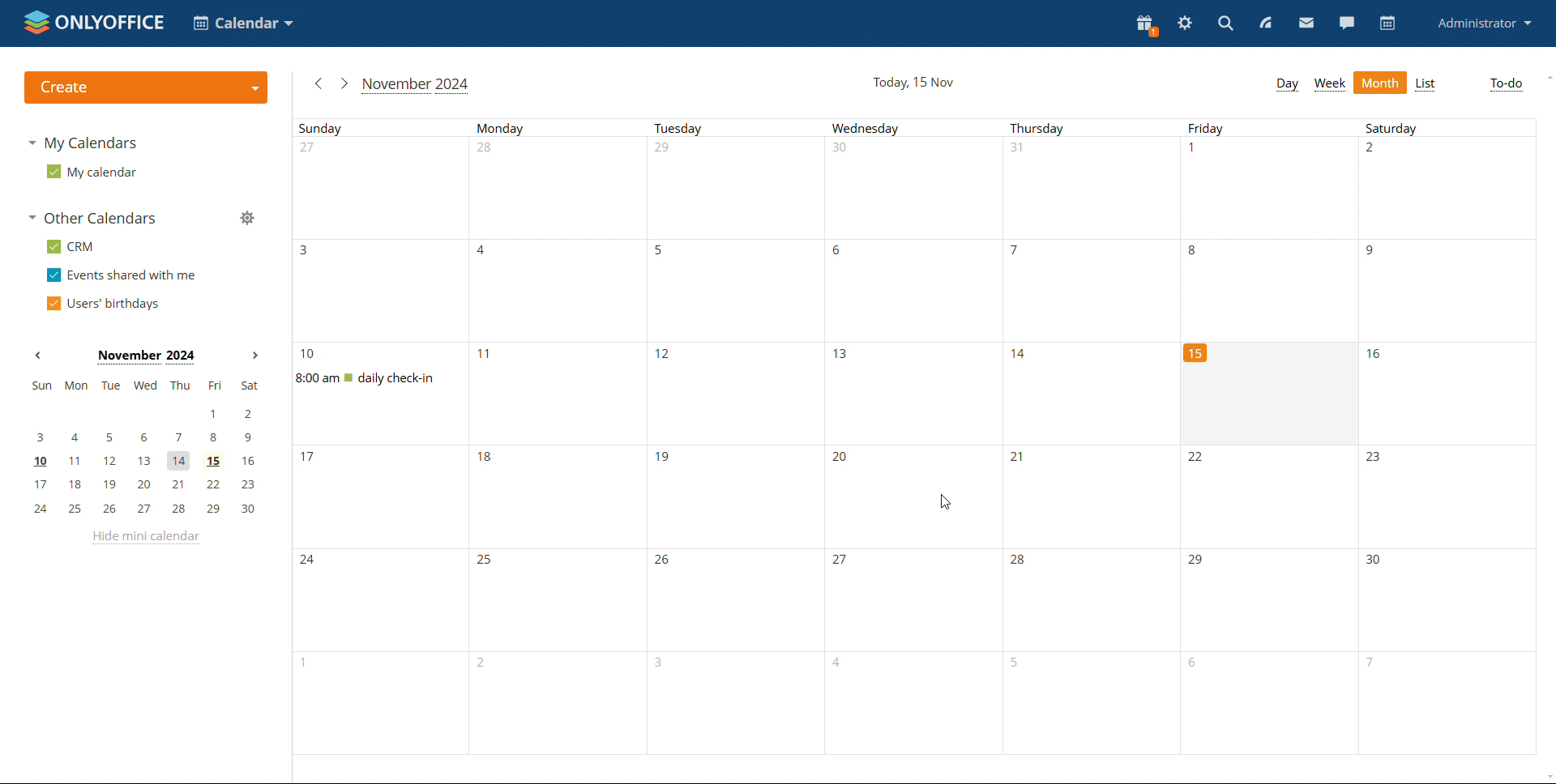 This screenshot has width=1556, height=784. I want to click on previous month, so click(319, 82).